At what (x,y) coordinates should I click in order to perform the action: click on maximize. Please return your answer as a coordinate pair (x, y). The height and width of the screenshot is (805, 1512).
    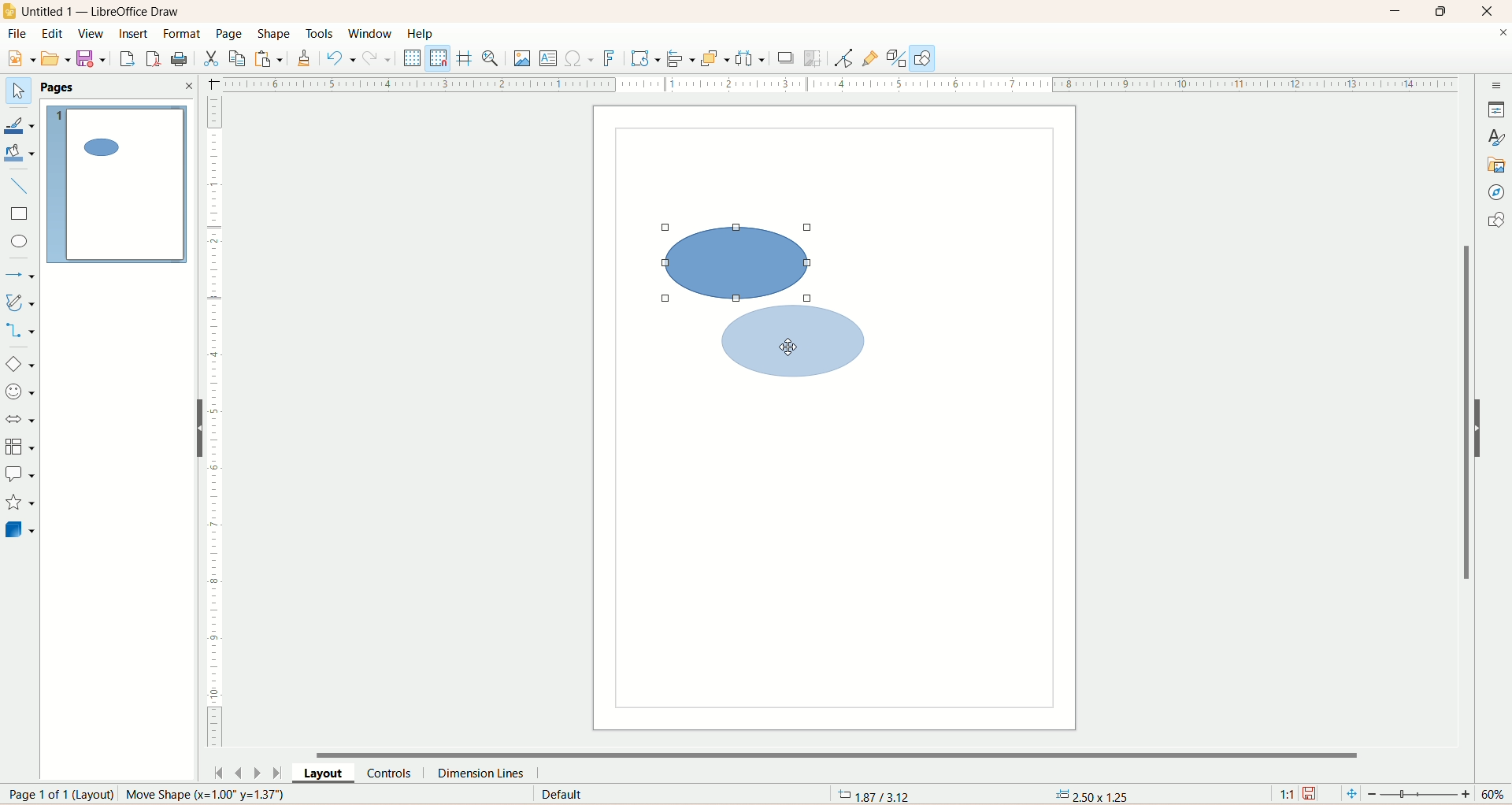
    Looking at the image, I should click on (1440, 11).